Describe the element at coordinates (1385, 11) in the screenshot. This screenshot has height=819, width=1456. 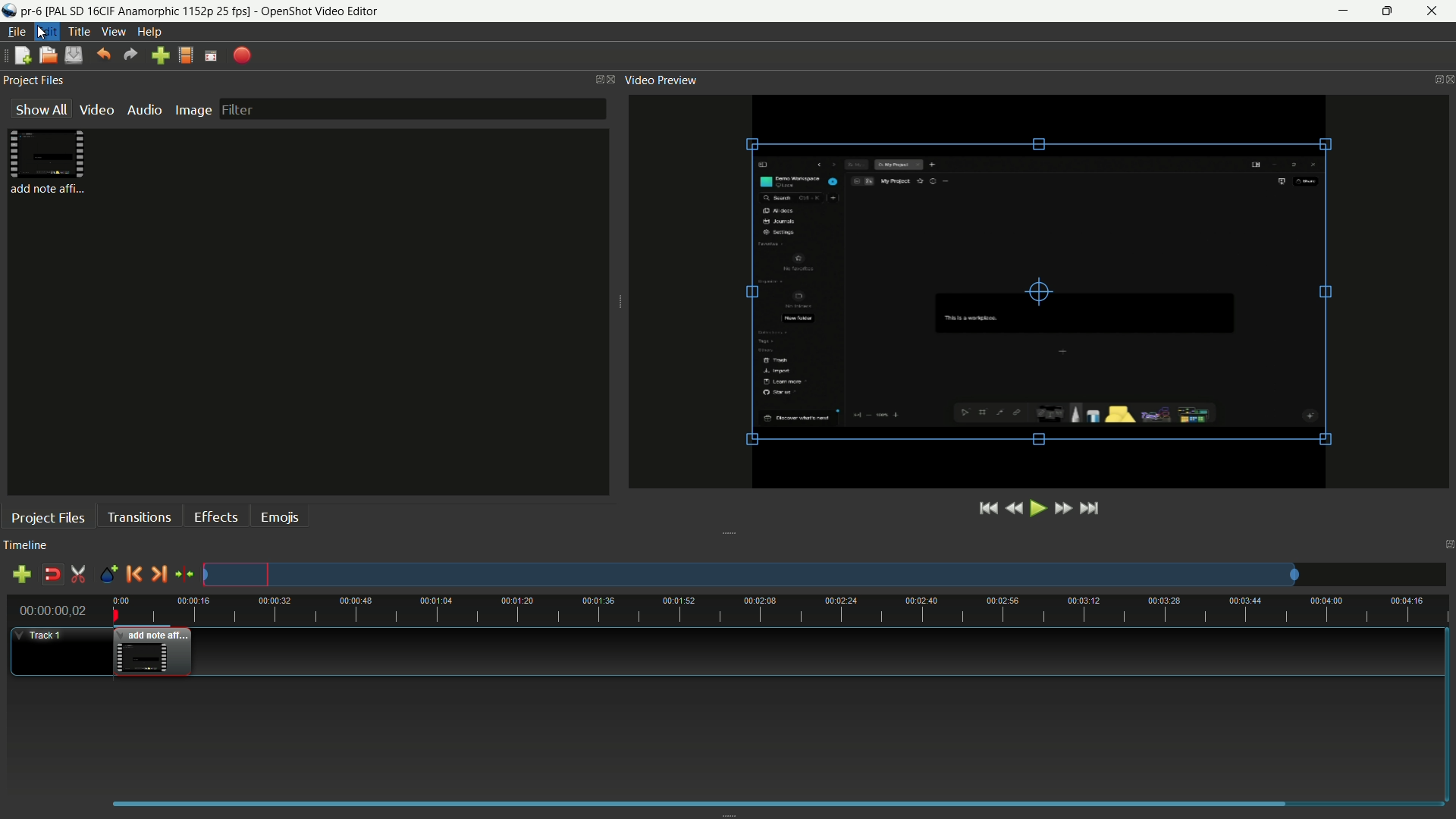
I see `maximize` at that location.